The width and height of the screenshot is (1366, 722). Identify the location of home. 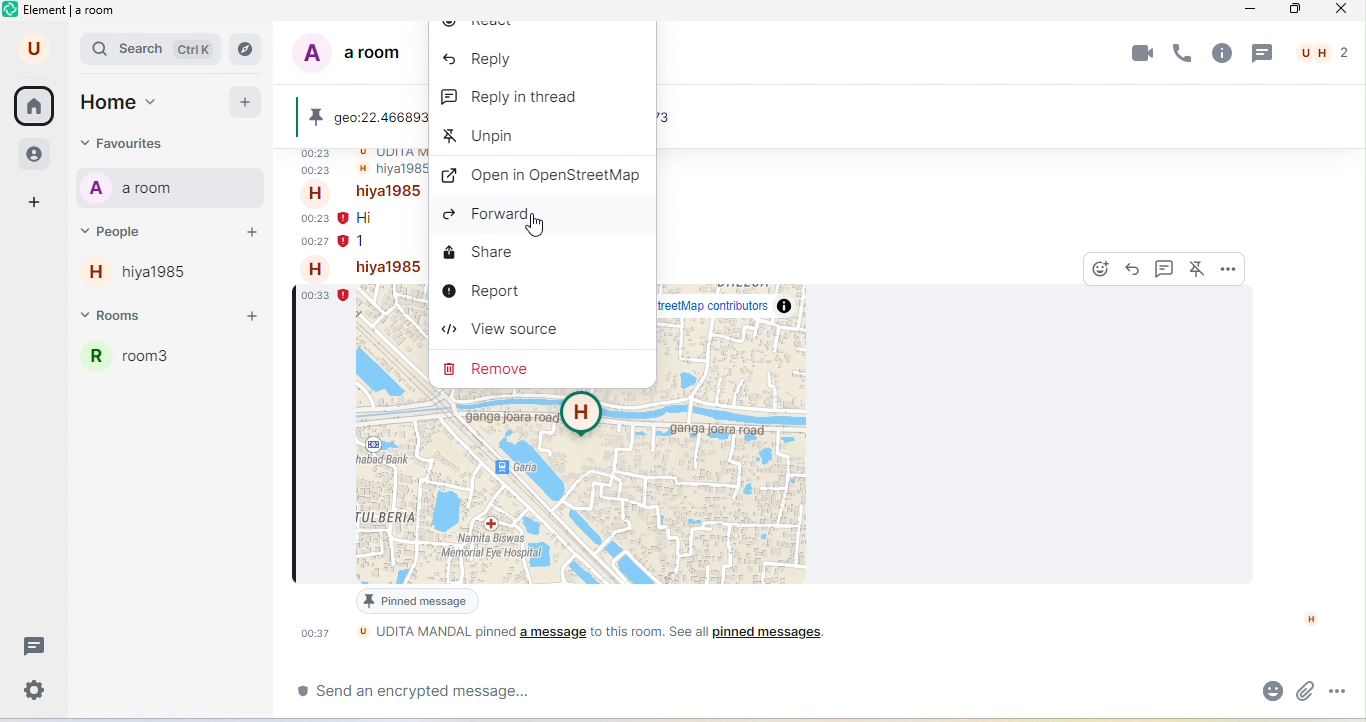
(135, 102).